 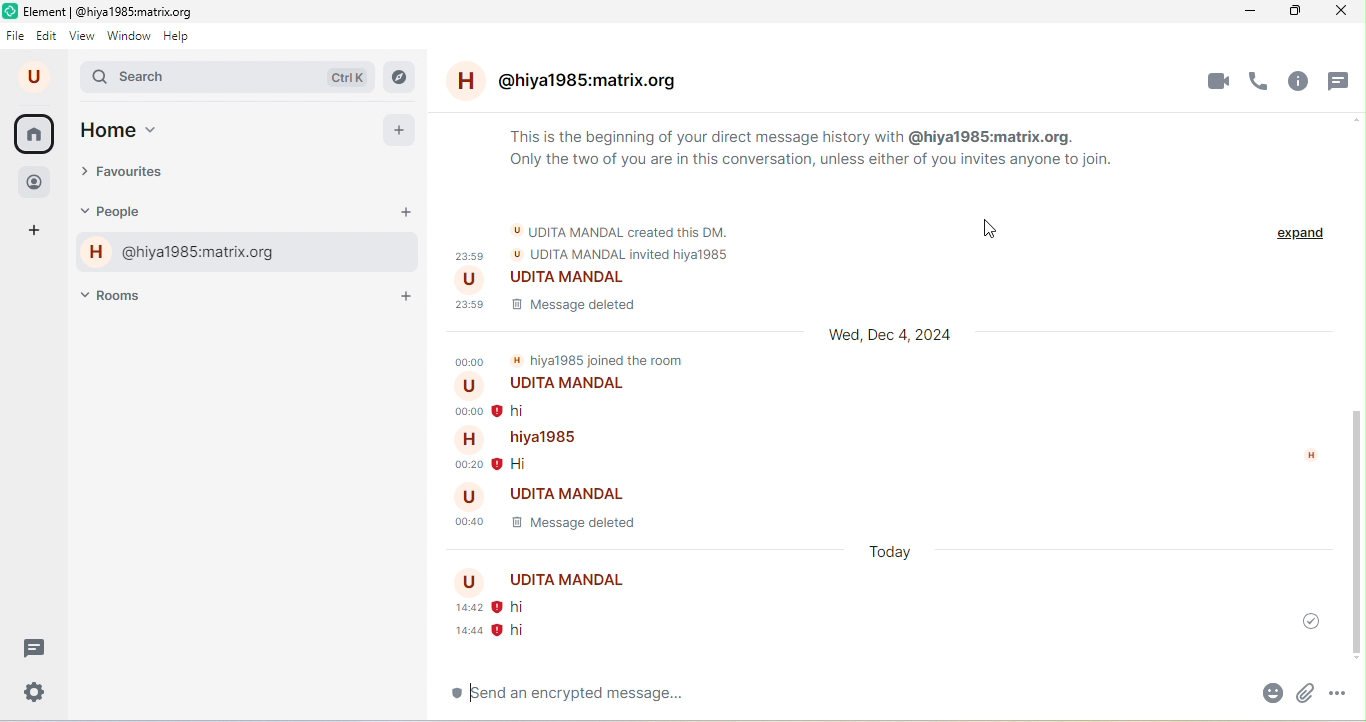 What do you see at coordinates (465, 523) in the screenshot?
I see `00.40` at bounding box center [465, 523].